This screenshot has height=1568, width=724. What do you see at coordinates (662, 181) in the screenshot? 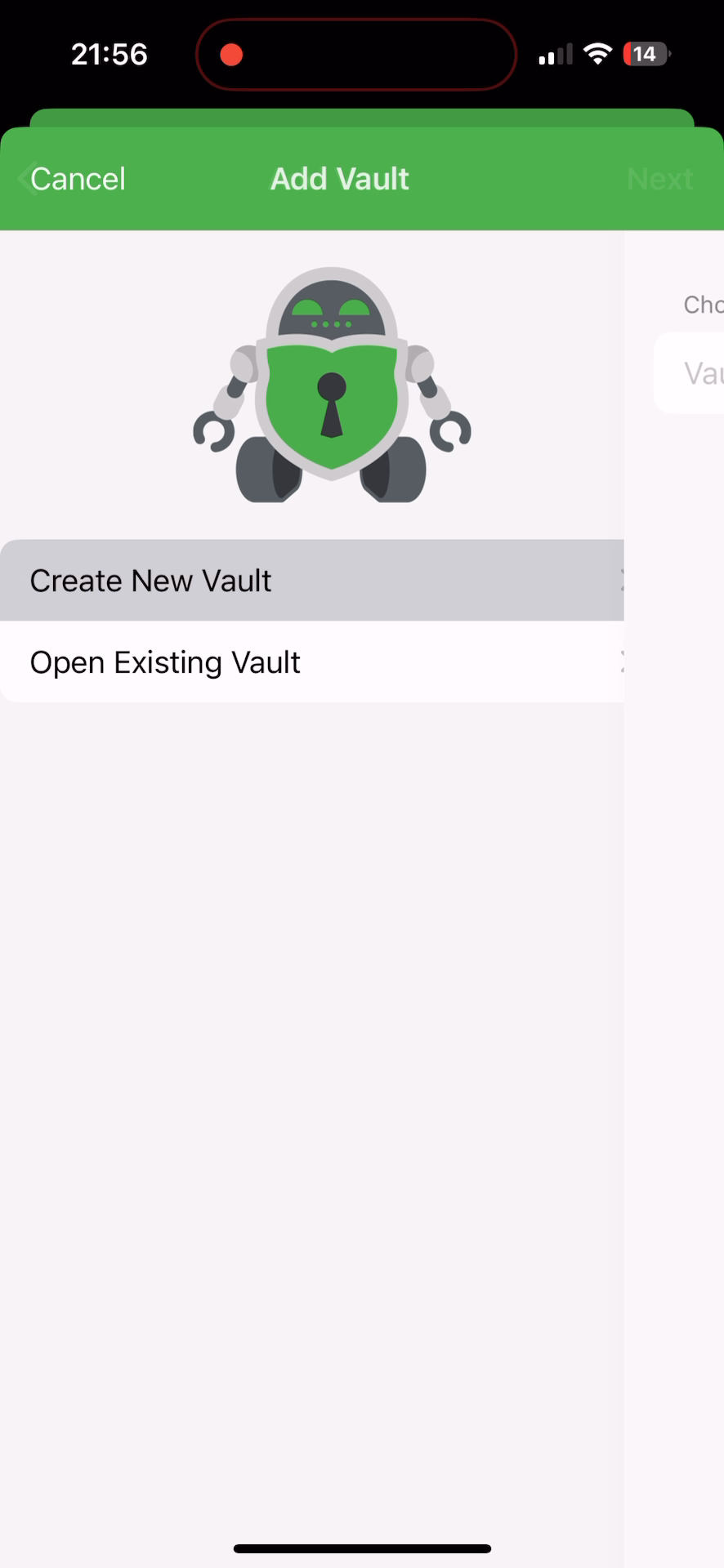
I see `Next` at bounding box center [662, 181].